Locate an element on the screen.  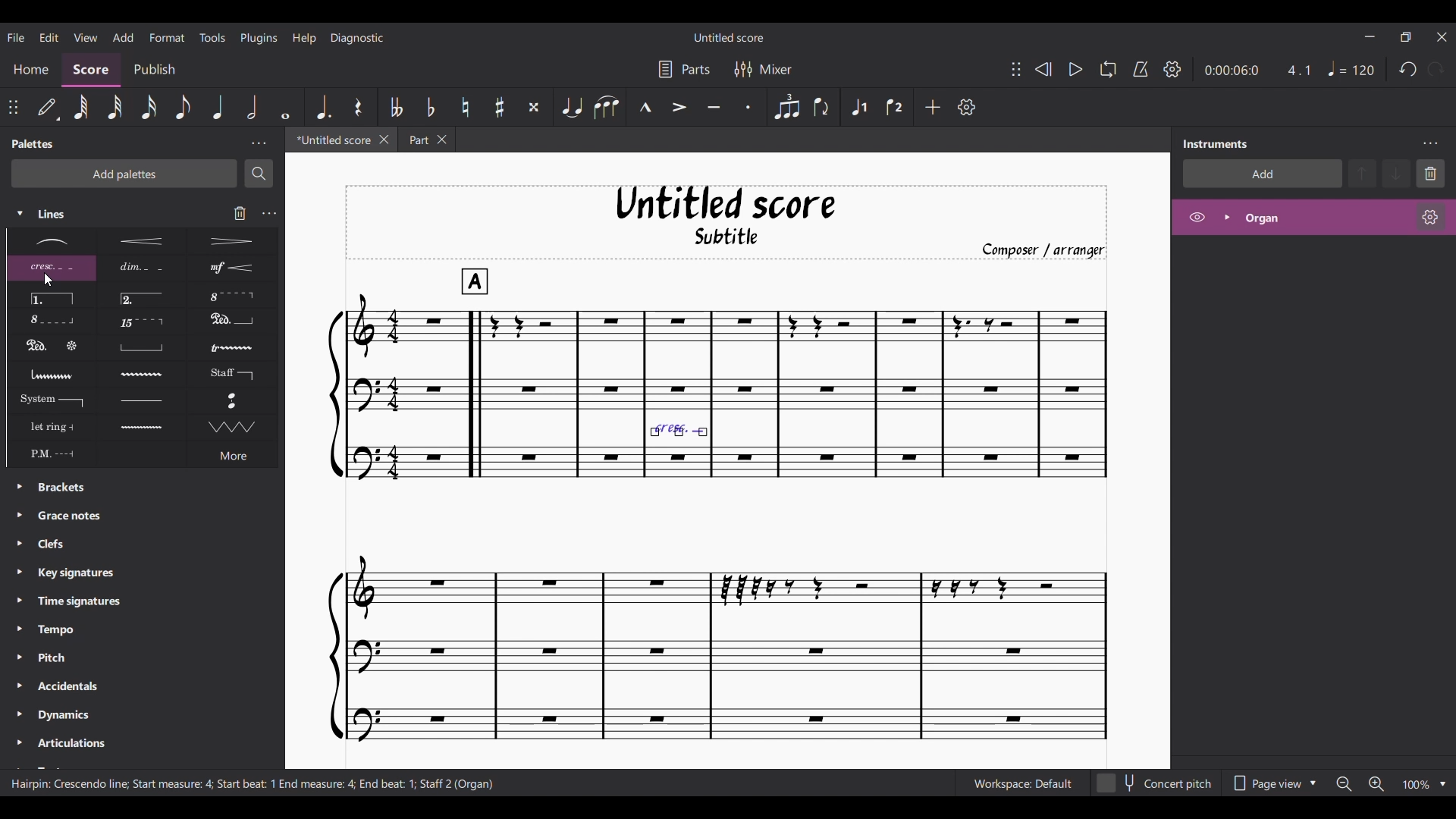
Search is located at coordinates (259, 174).